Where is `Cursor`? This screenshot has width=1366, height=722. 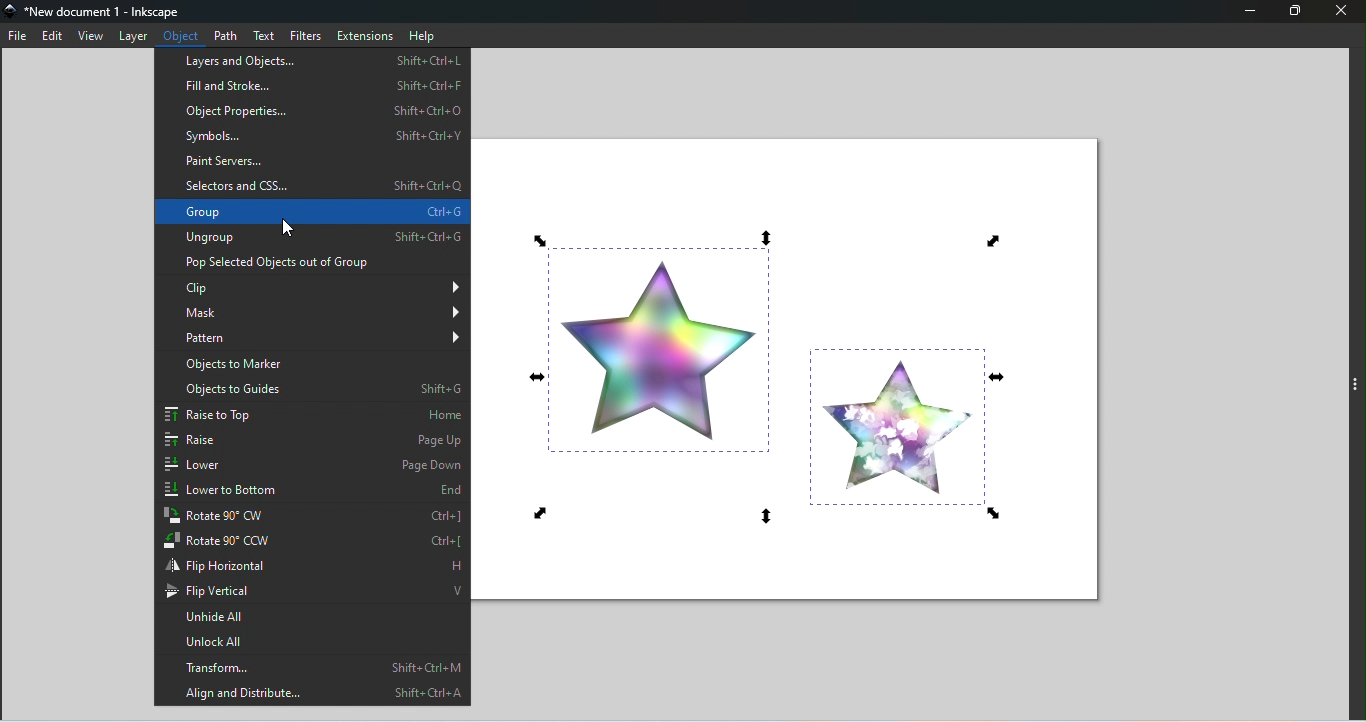 Cursor is located at coordinates (285, 230).